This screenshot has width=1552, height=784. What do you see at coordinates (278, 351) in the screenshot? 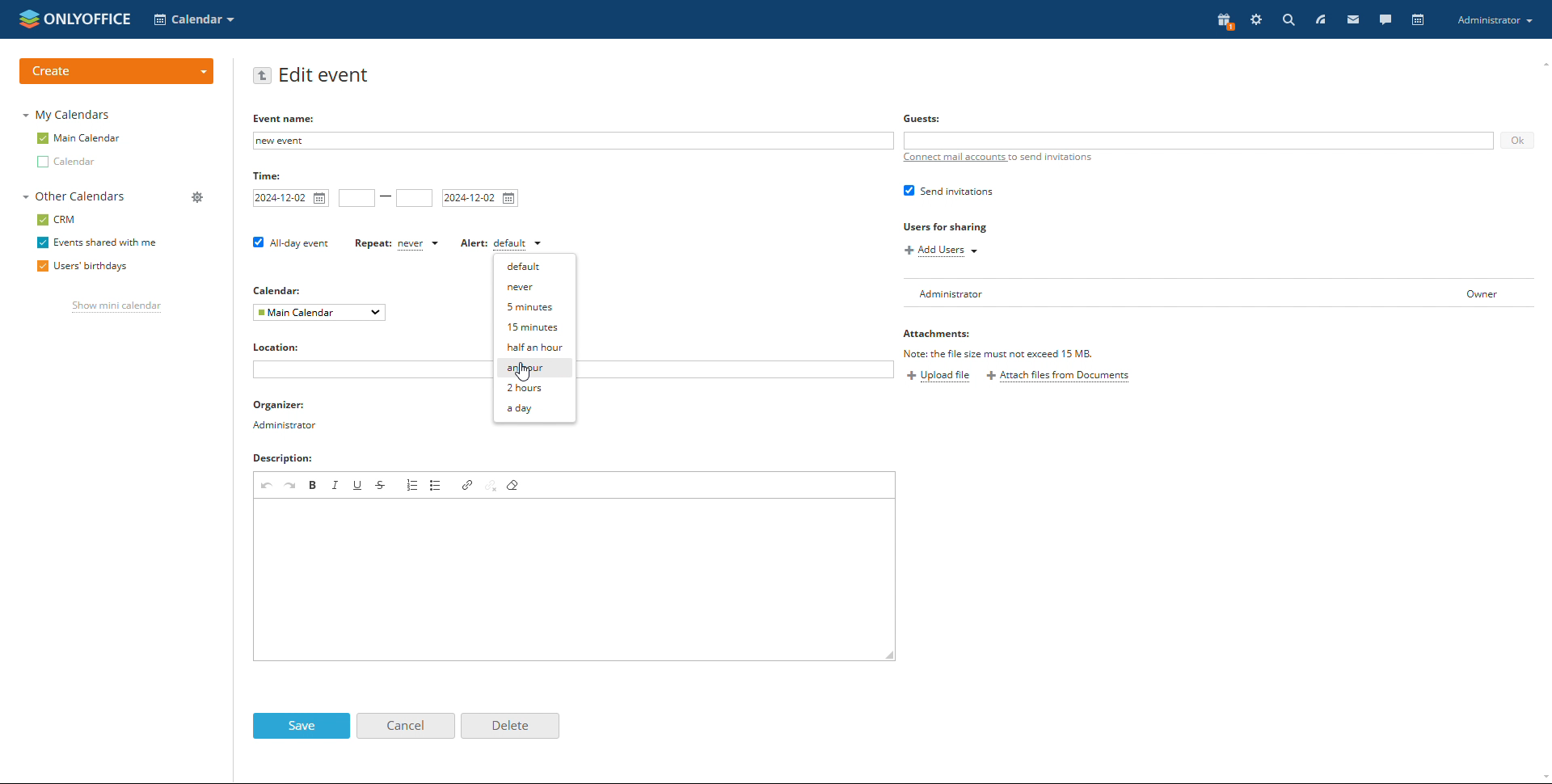
I see `locations` at bounding box center [278, 351].